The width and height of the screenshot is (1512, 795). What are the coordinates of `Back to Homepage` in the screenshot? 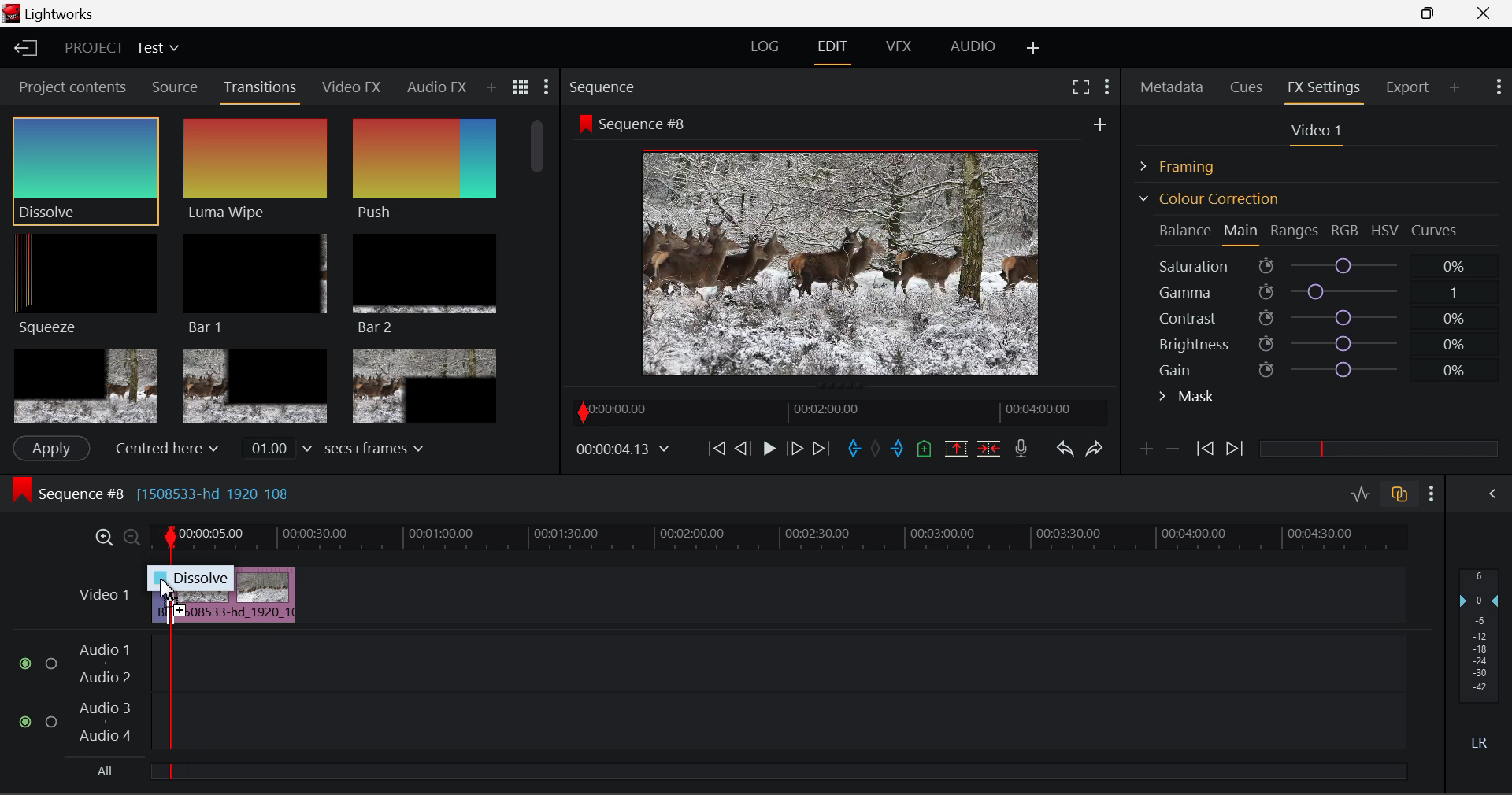 It's located at (20, 49).